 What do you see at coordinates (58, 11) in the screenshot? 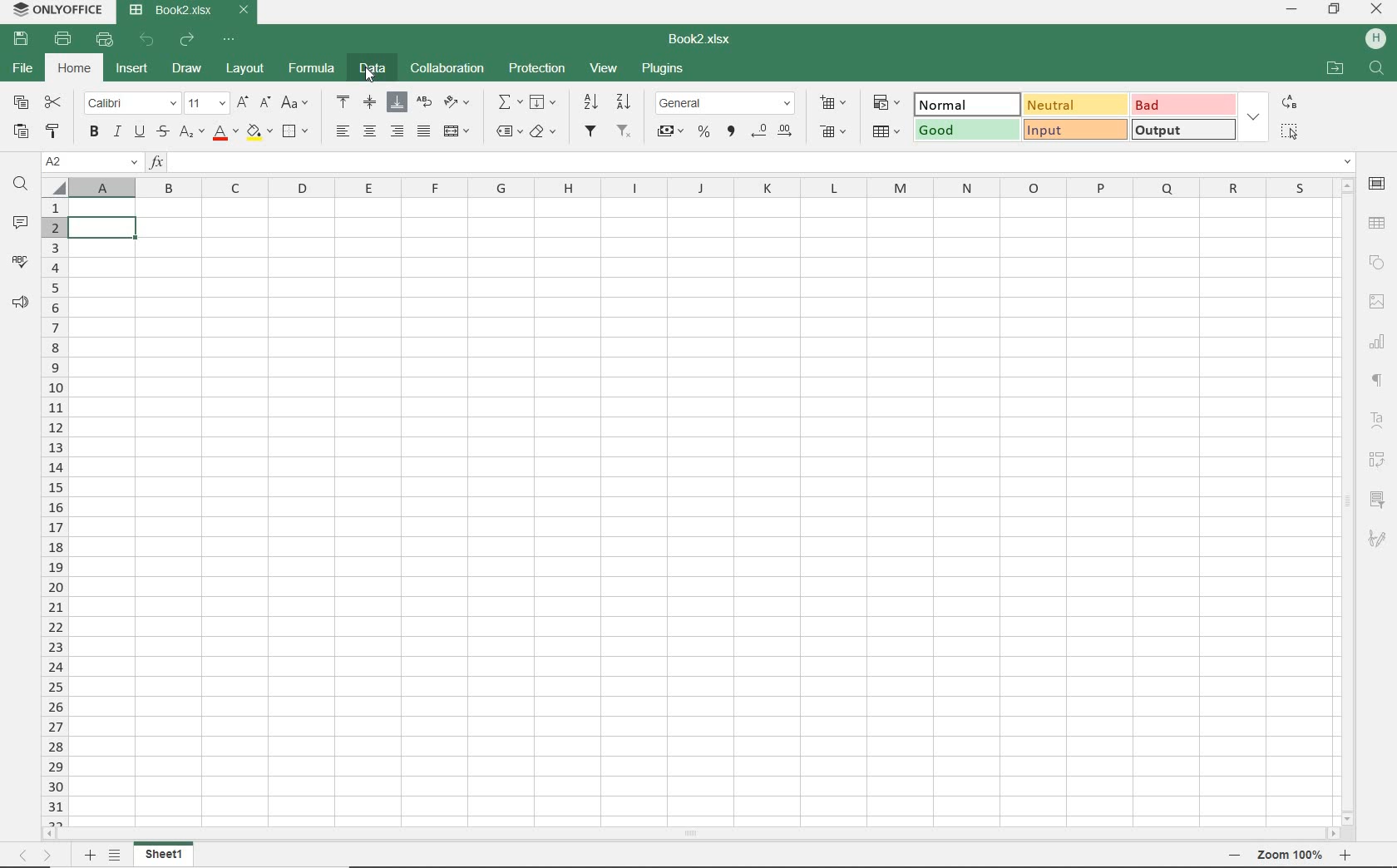
I see `system name` at bounding box center [58, 11].